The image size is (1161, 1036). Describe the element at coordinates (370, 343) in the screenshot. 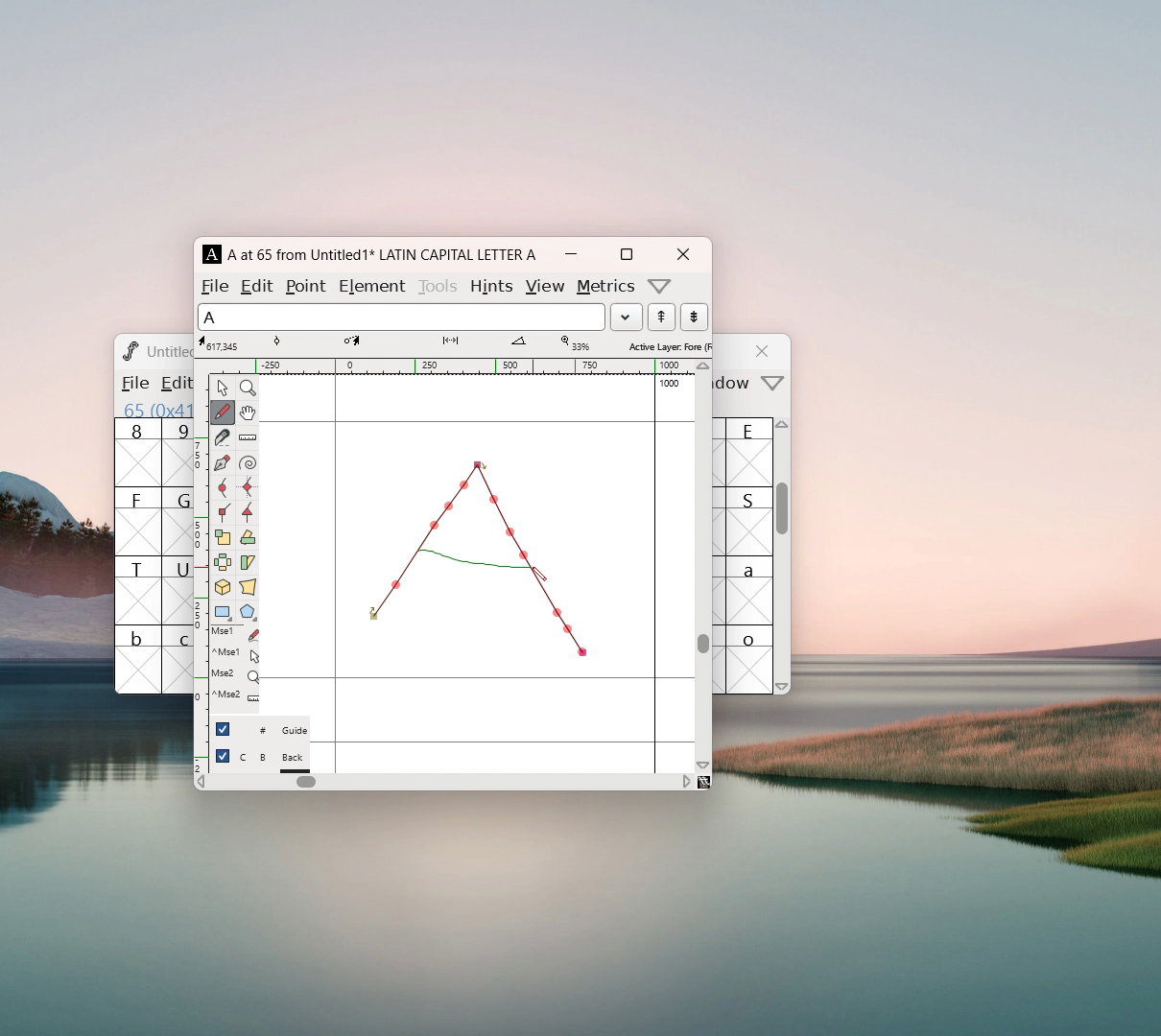

I see `coordinates of cursor destination` at that location.